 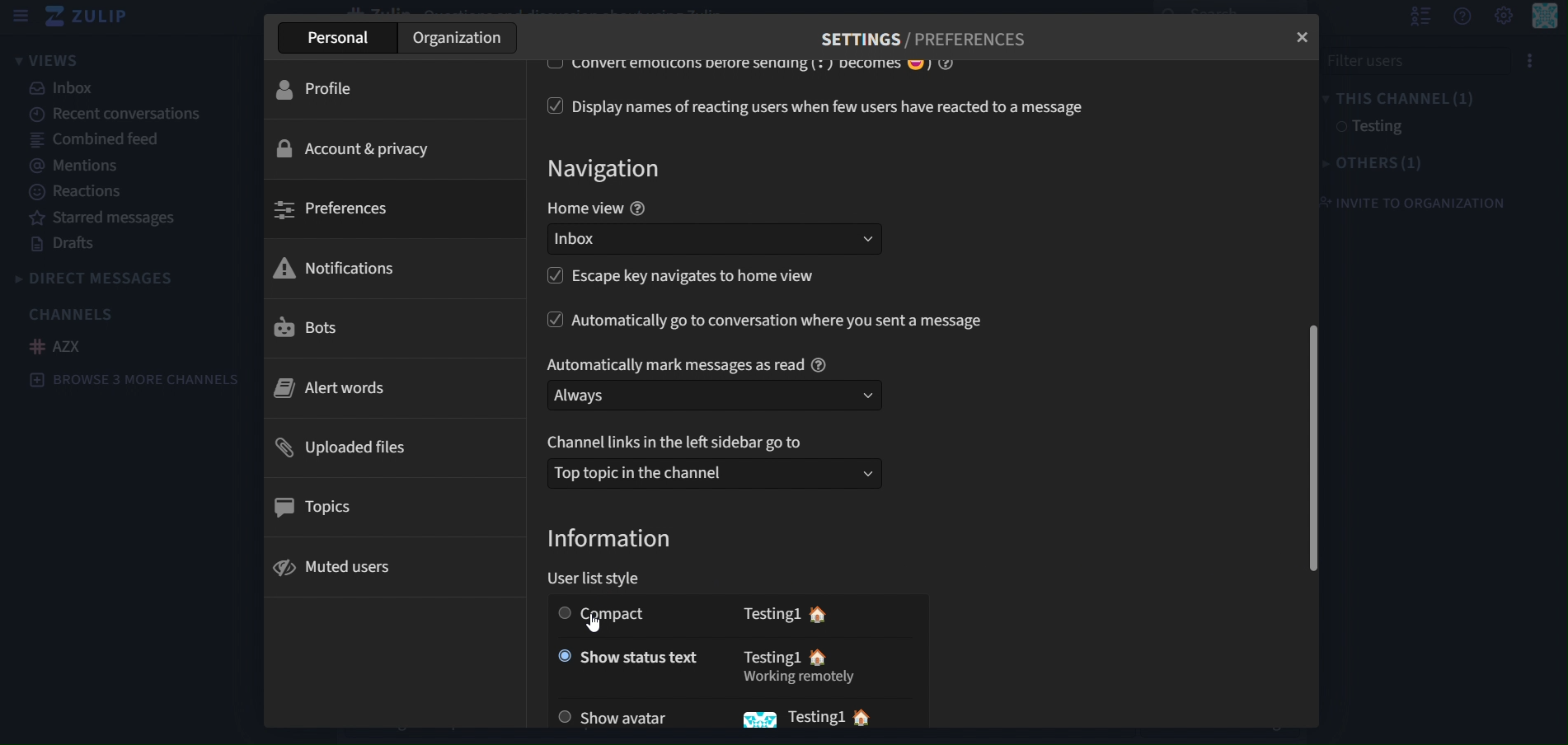 What do you see at coordinates (337, 268) in the screenshot?
I see `notifications` at bounding box center [337, 268].